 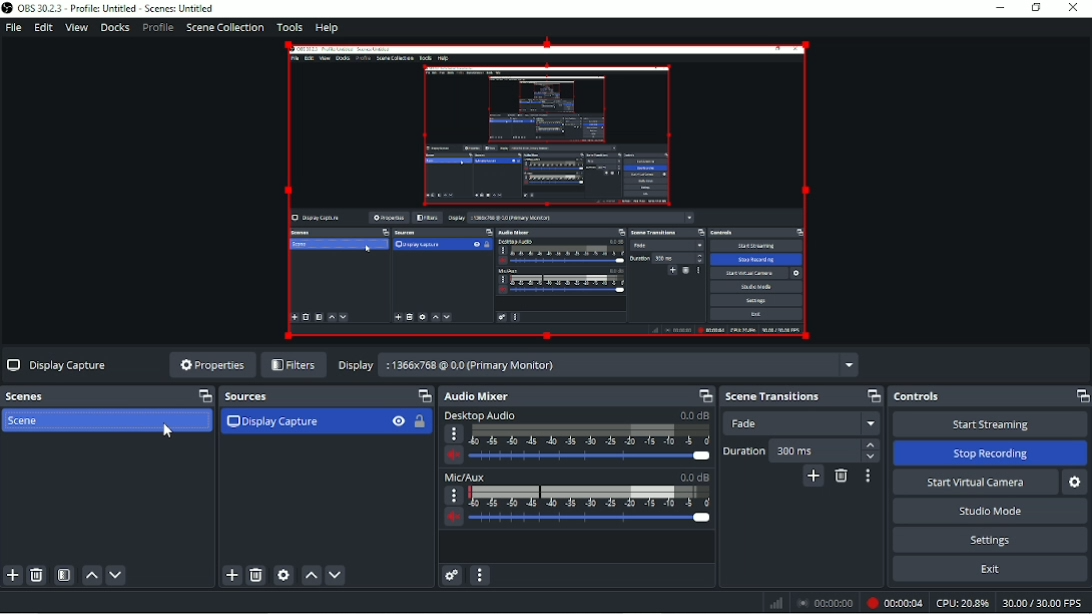 What do you see at coordinates (311, 576) in the screenshot?
I see `Move source(s) up` at bounding box center [311, 576].